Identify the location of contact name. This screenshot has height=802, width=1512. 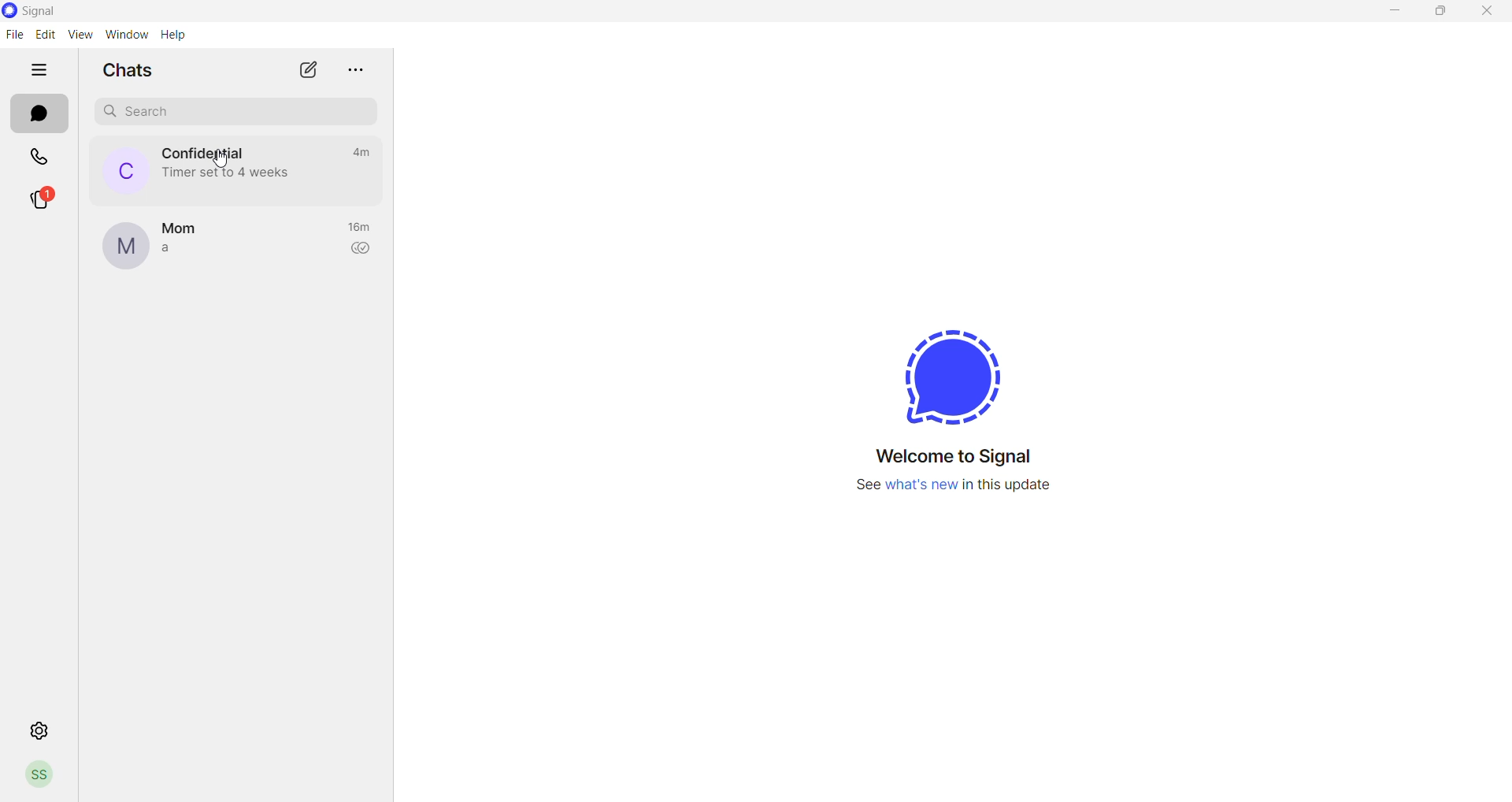
(204, 154).